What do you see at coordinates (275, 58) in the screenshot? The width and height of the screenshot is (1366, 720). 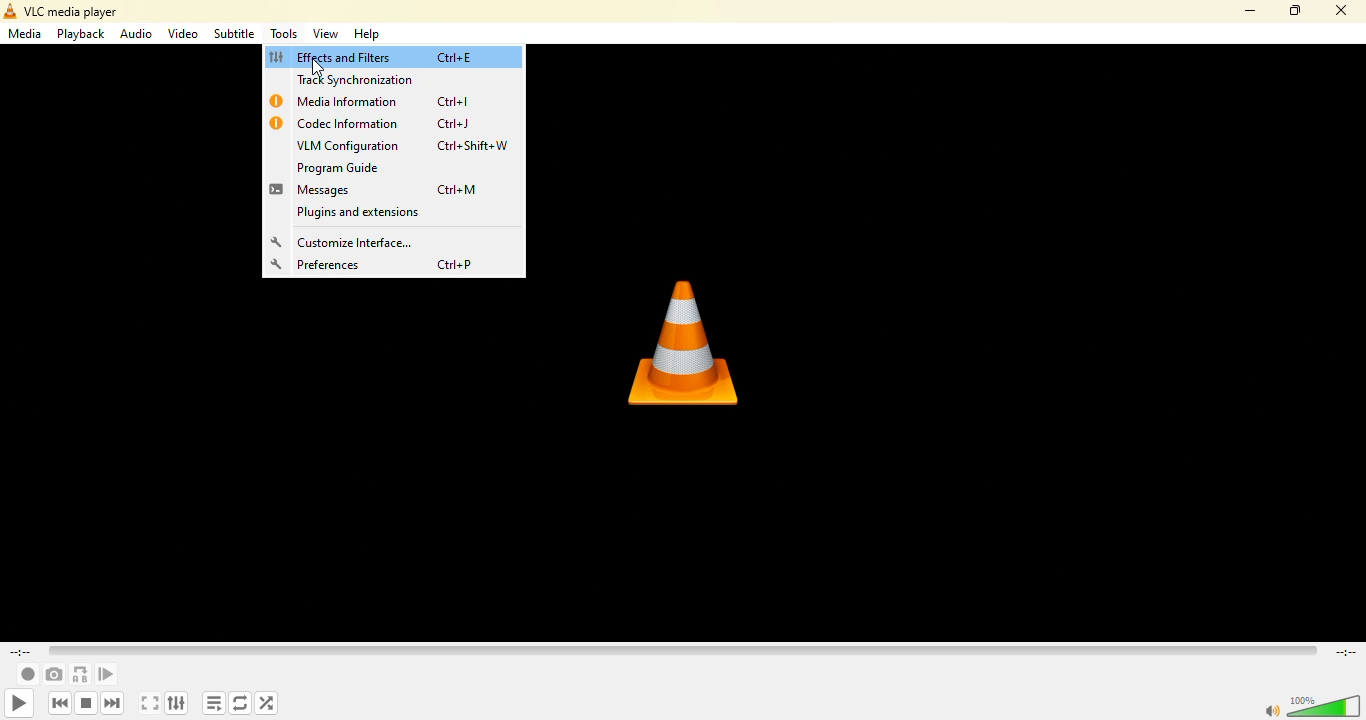 I see `effects` at bounding box center [275, 58].